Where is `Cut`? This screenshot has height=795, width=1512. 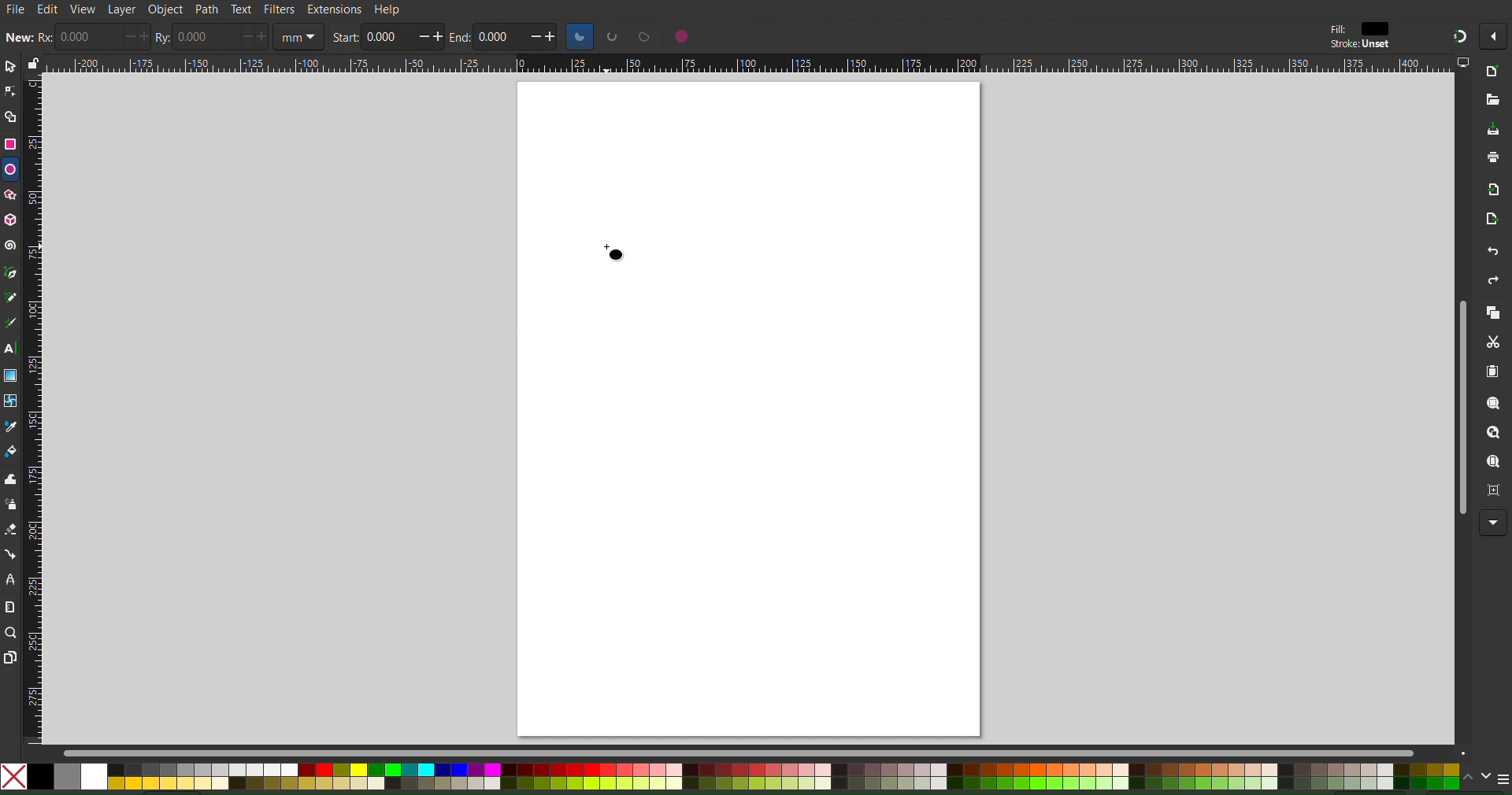
Cut is located at coordinates (1492, 342).